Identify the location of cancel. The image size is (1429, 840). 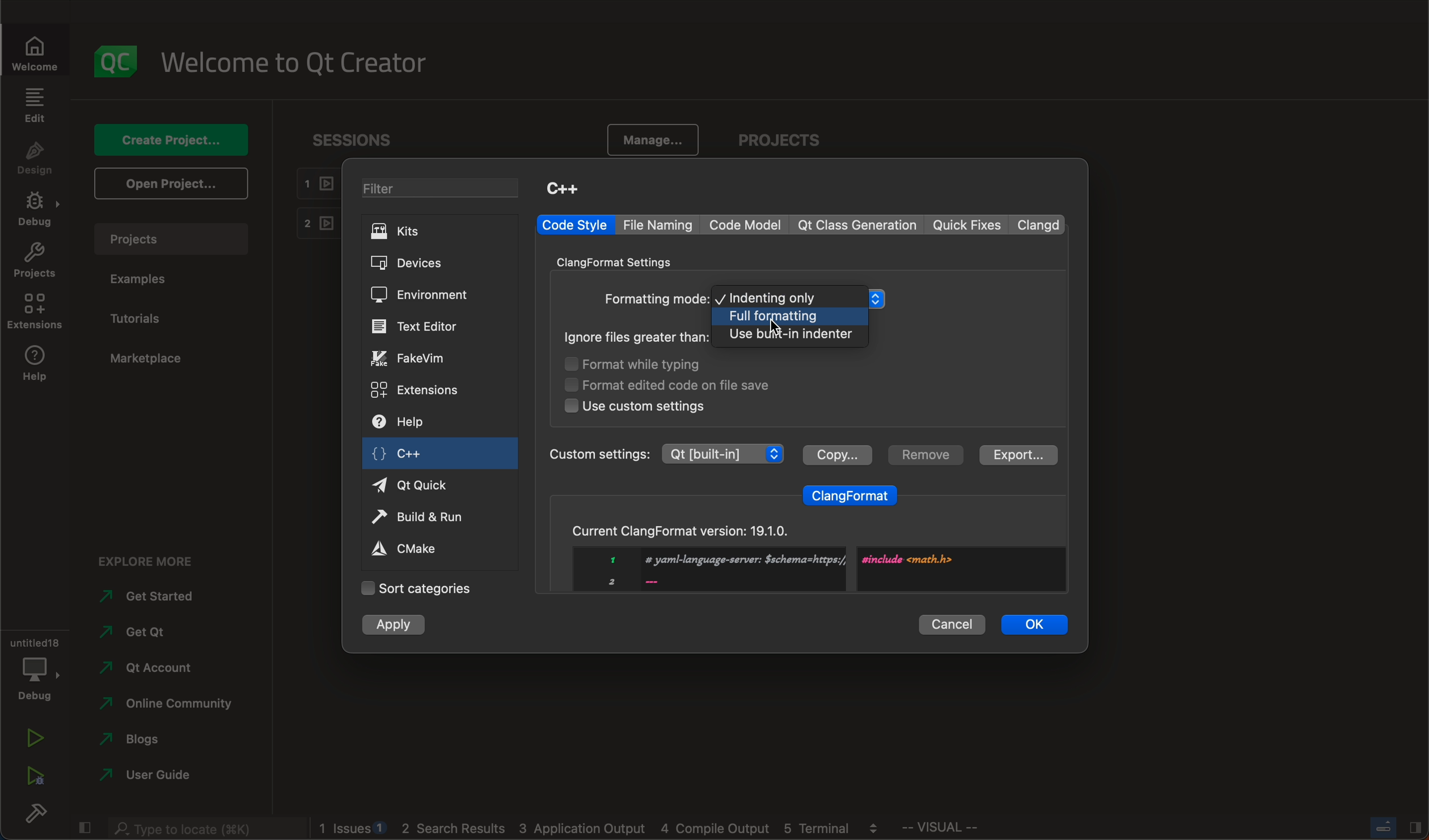
(952, 622).